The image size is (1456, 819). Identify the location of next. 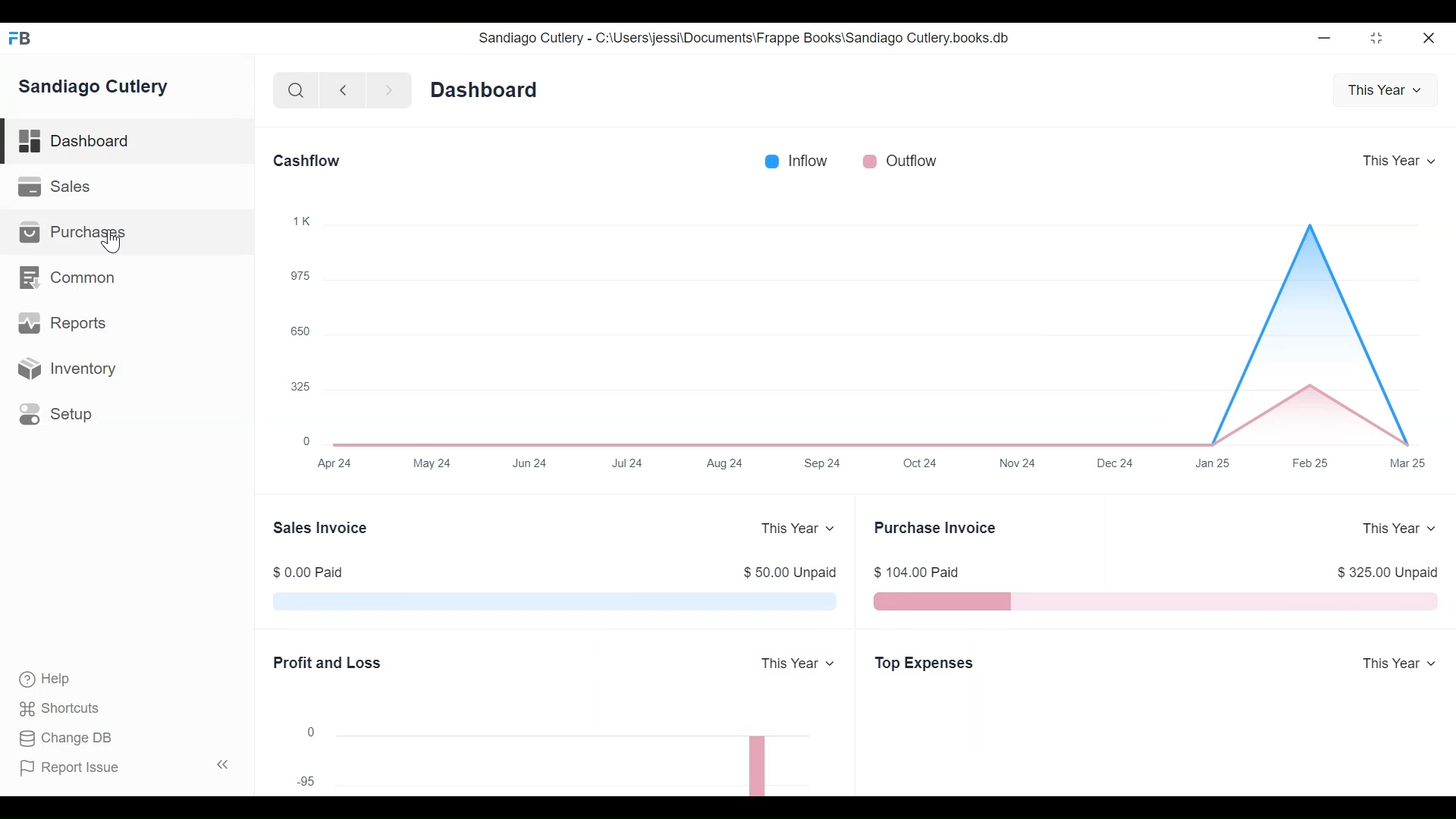
(388, 89).